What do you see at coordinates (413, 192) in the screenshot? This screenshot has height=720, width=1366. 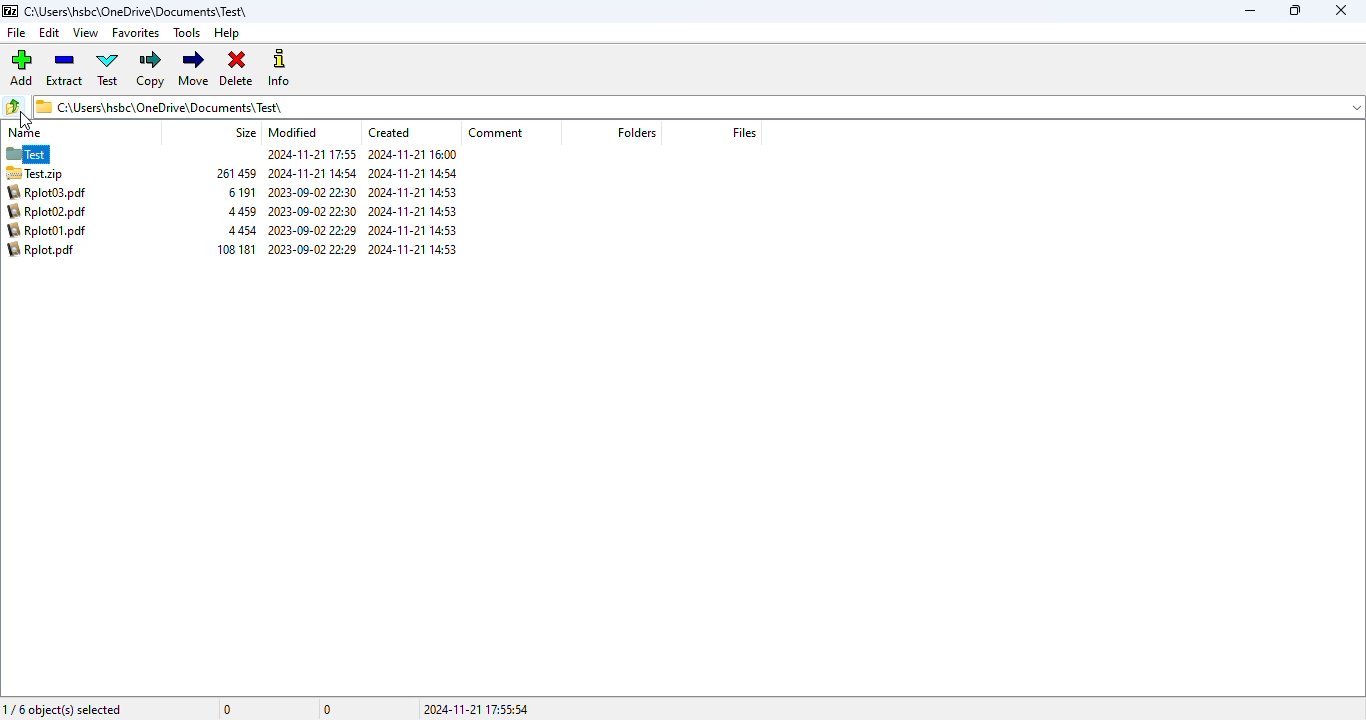 I see `2024-11-21 14:53` at bounding box center [413, 192].